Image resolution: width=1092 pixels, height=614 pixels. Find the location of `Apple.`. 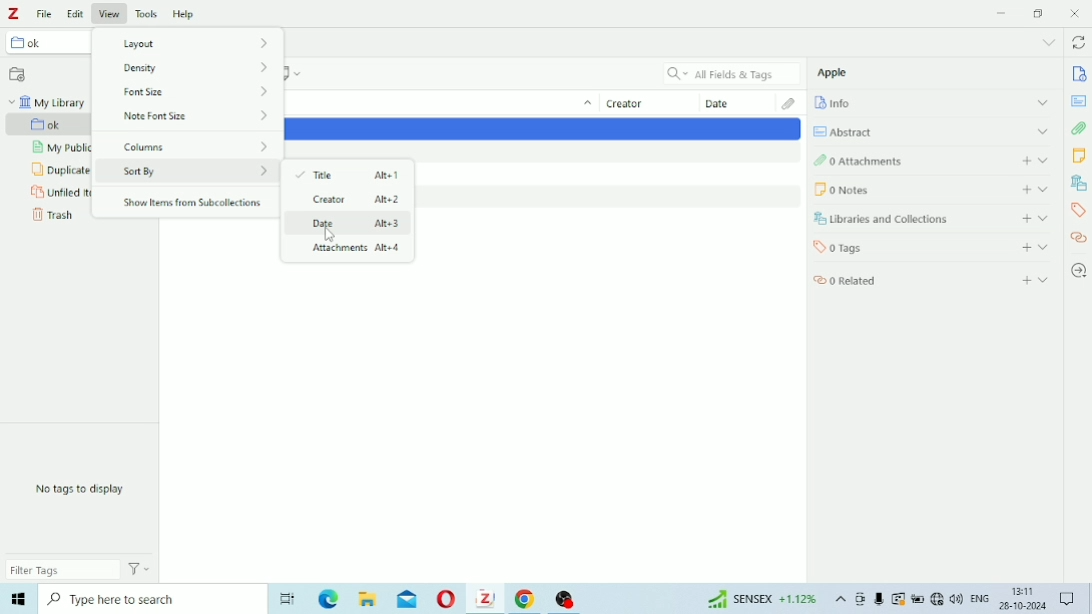

Apple. is located at coordinates (839, 75).